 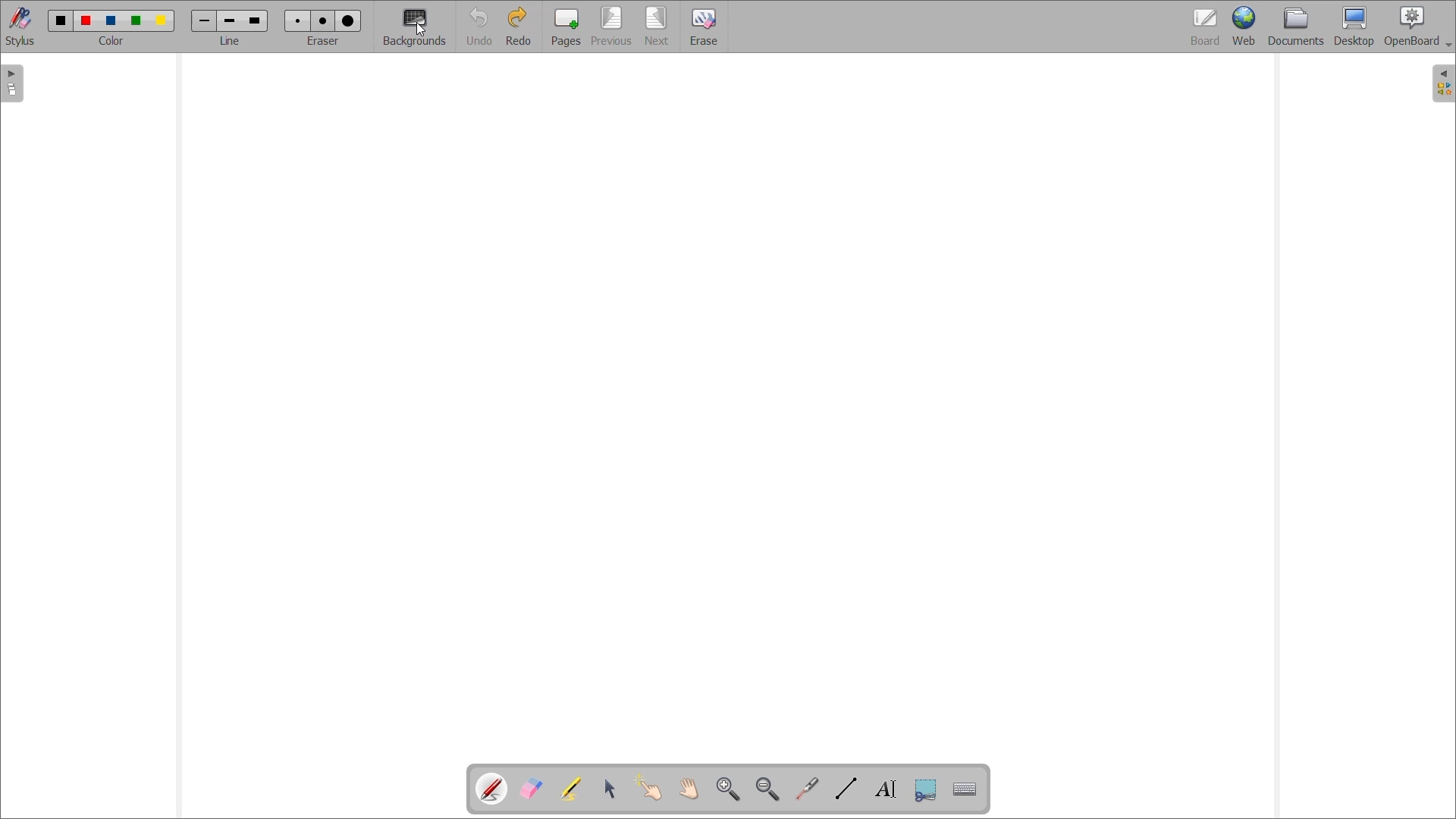 What do you see at coordinates (1354, 27) in the screenshot?
I see `Show desktop` at bounding box center [1354, 27].